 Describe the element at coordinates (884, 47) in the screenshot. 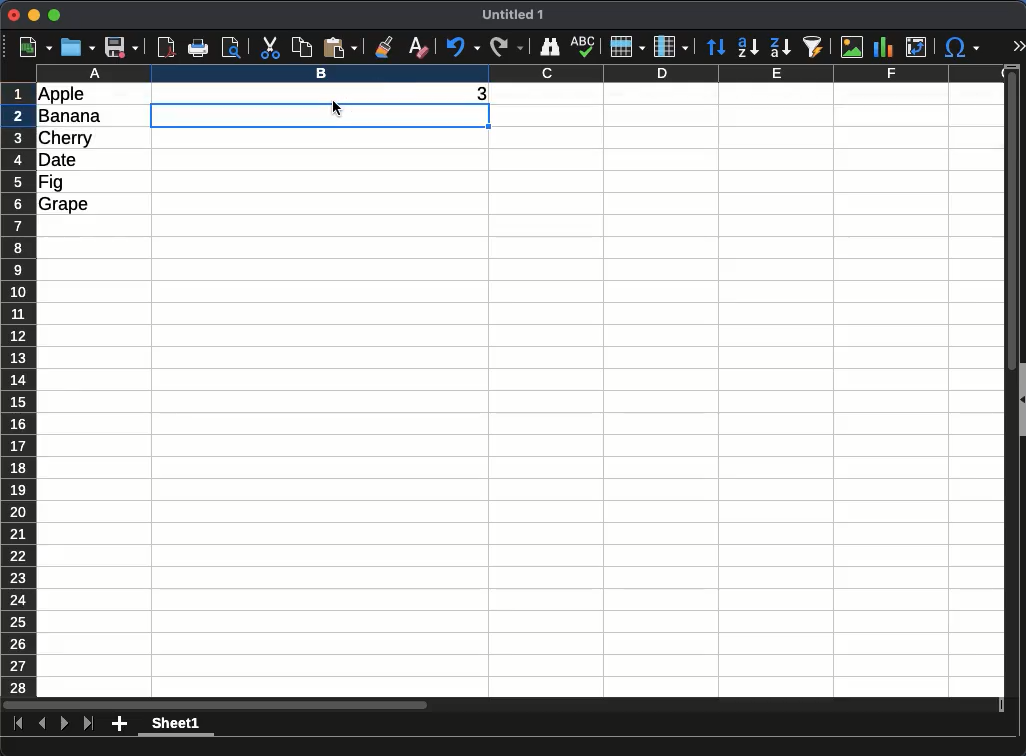

I see `chart` at that location.